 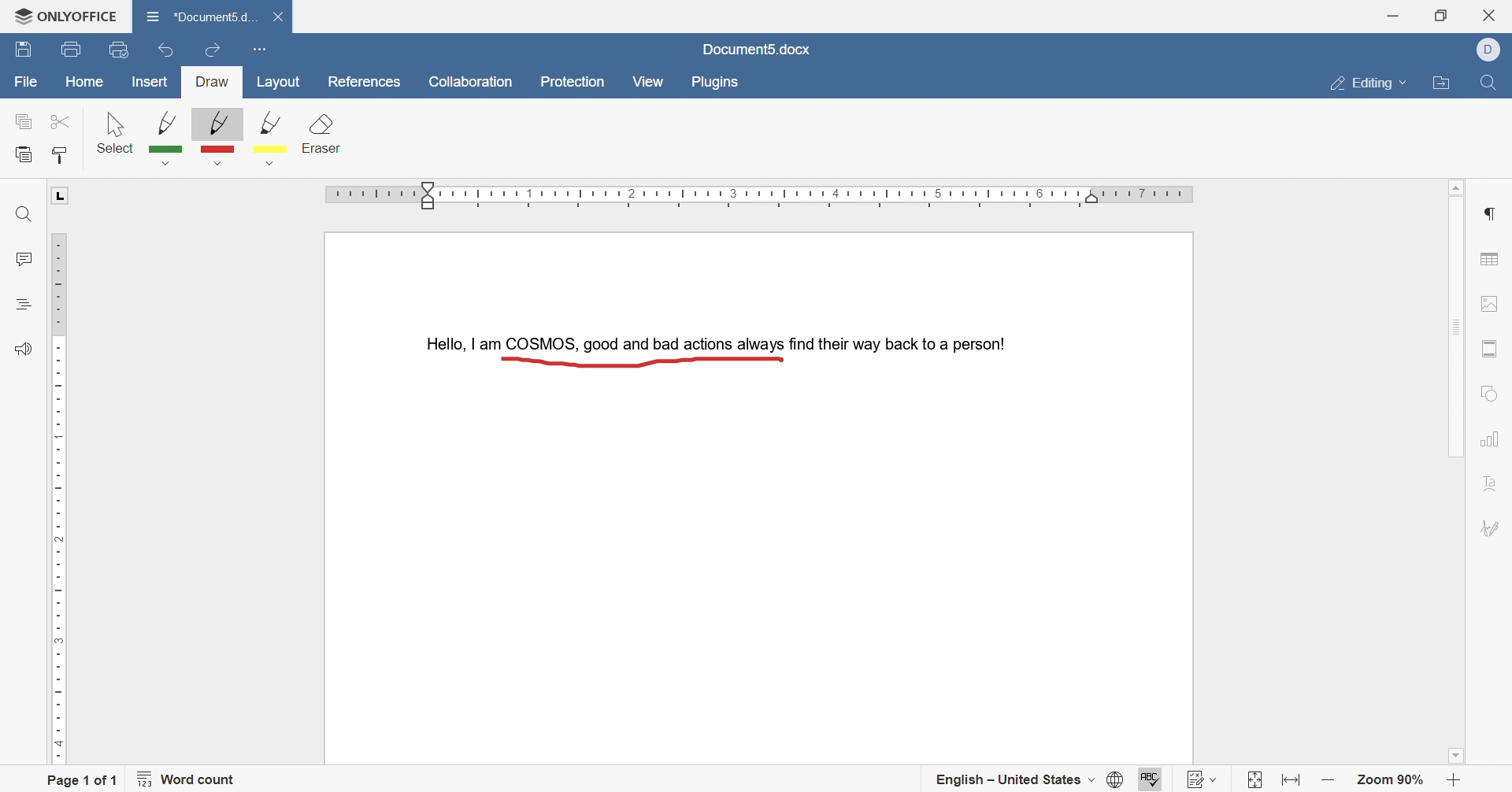 I want to click on editing, so click(x=1369, y=81).